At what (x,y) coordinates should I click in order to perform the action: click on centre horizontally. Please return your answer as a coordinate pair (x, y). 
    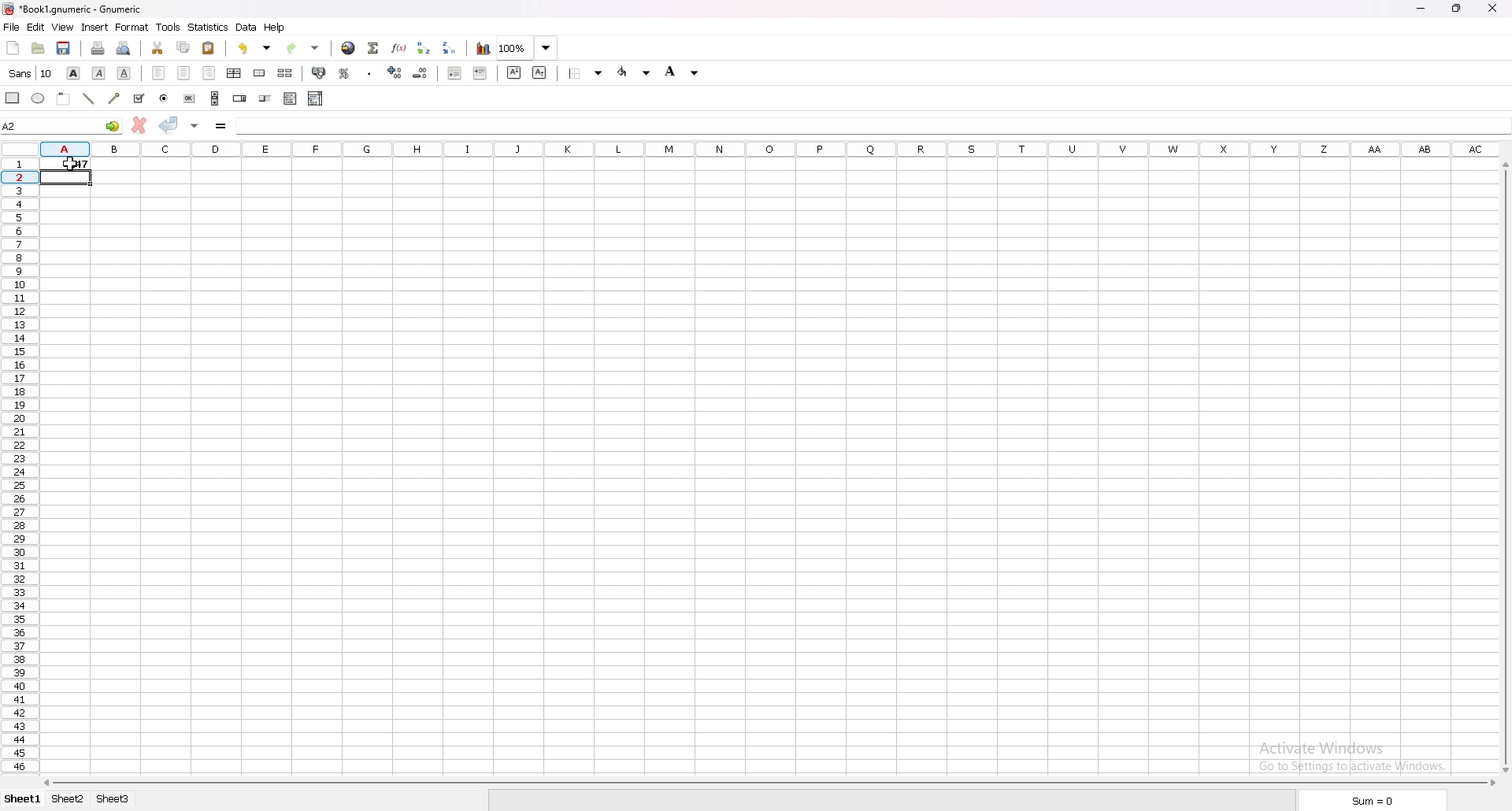
    Looking at the image, I should click on (235, 74).